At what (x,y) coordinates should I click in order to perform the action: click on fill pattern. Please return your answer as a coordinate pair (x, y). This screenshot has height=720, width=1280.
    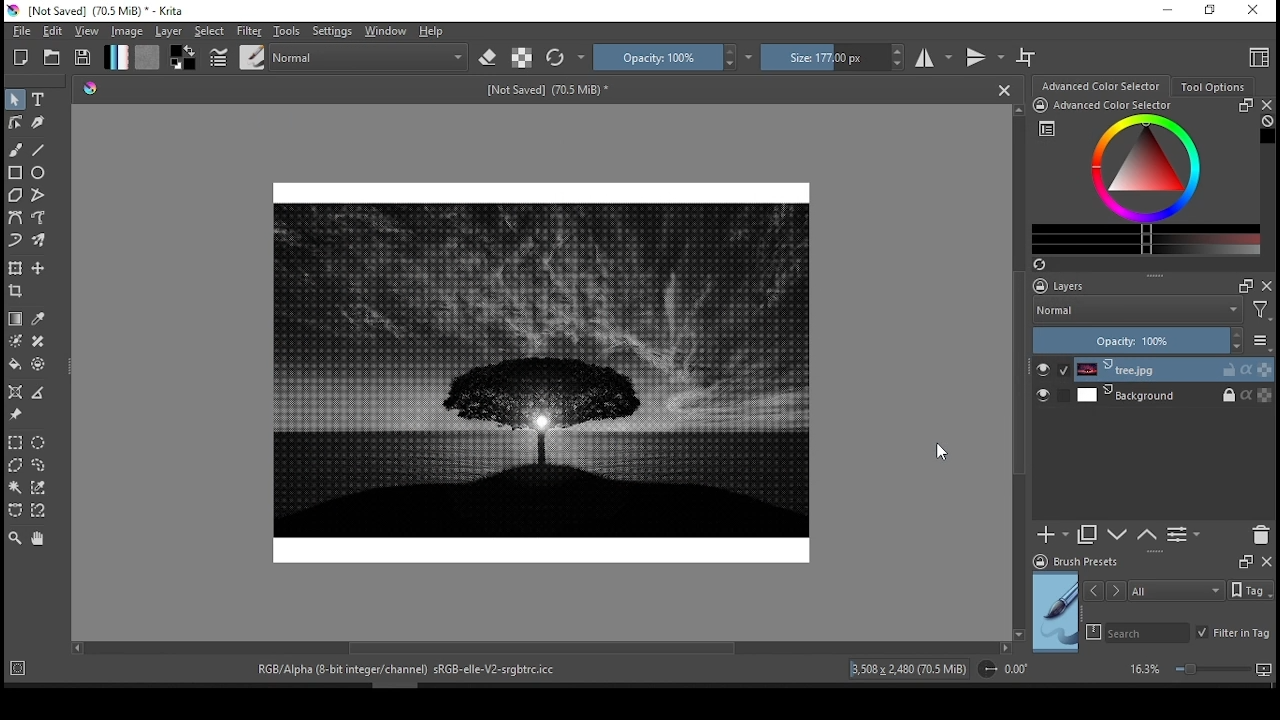
    Looking at the image, I should click on (148, 57).